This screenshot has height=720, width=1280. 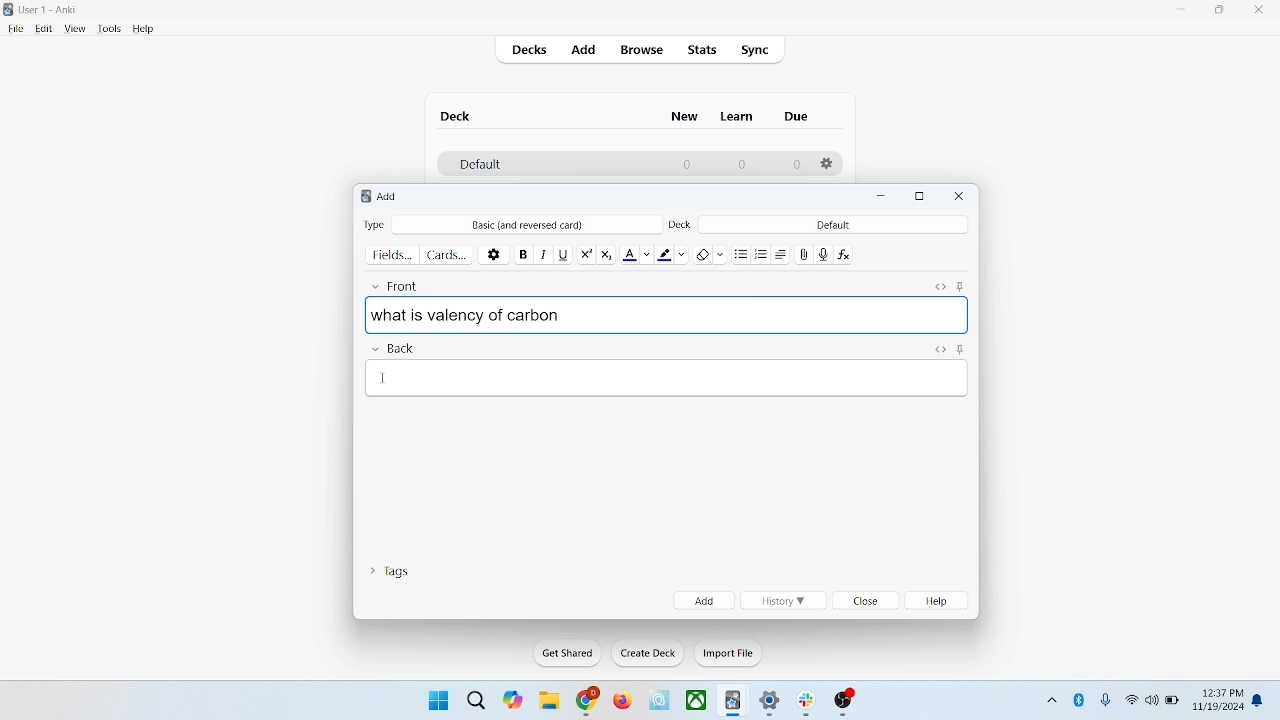 What do you see at coordinates (389, 196) in the screenshot?
I see `add` at bounding box center [389, 196].